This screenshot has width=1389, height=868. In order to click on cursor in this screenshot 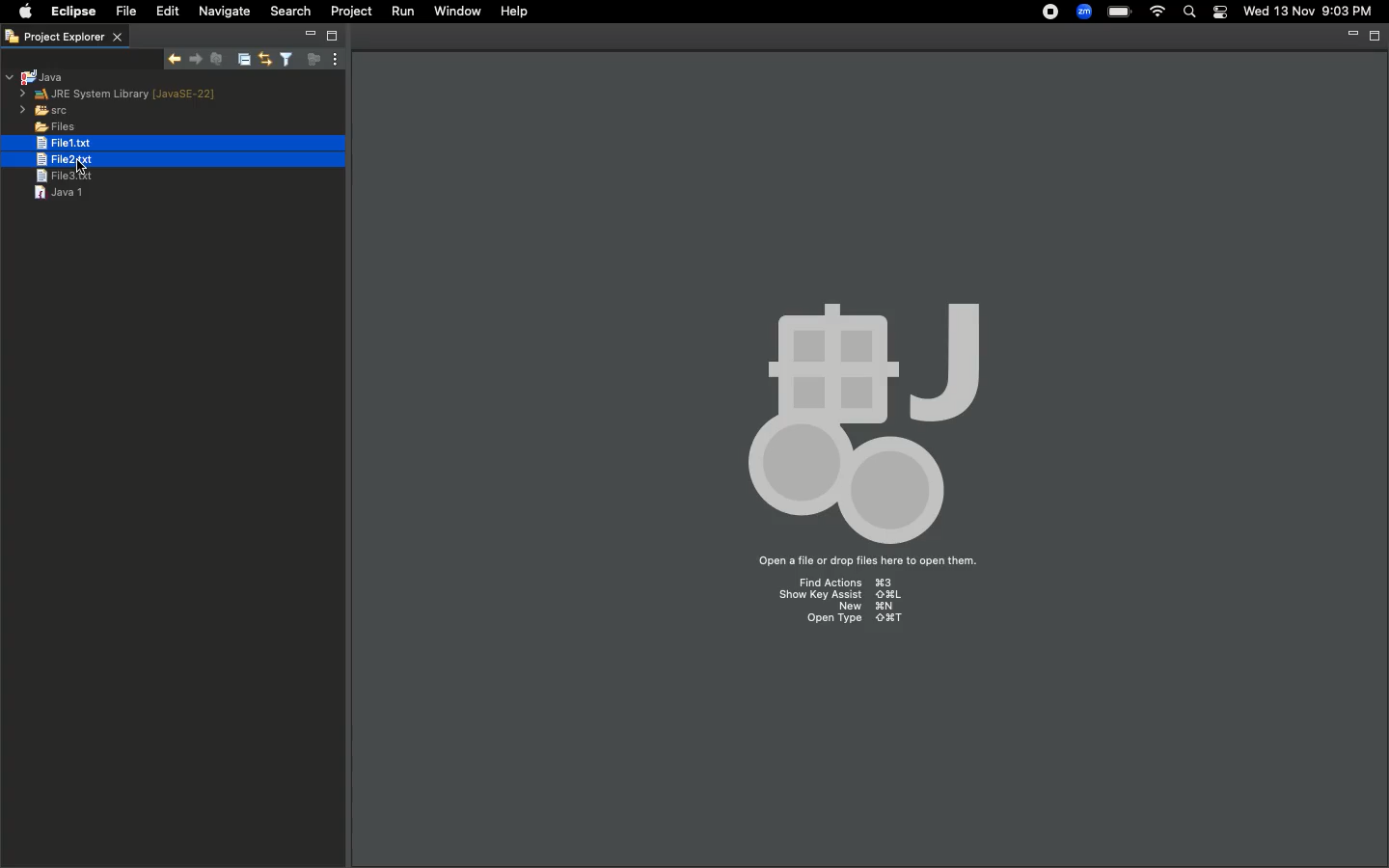, I will do `click(82, 163)`.